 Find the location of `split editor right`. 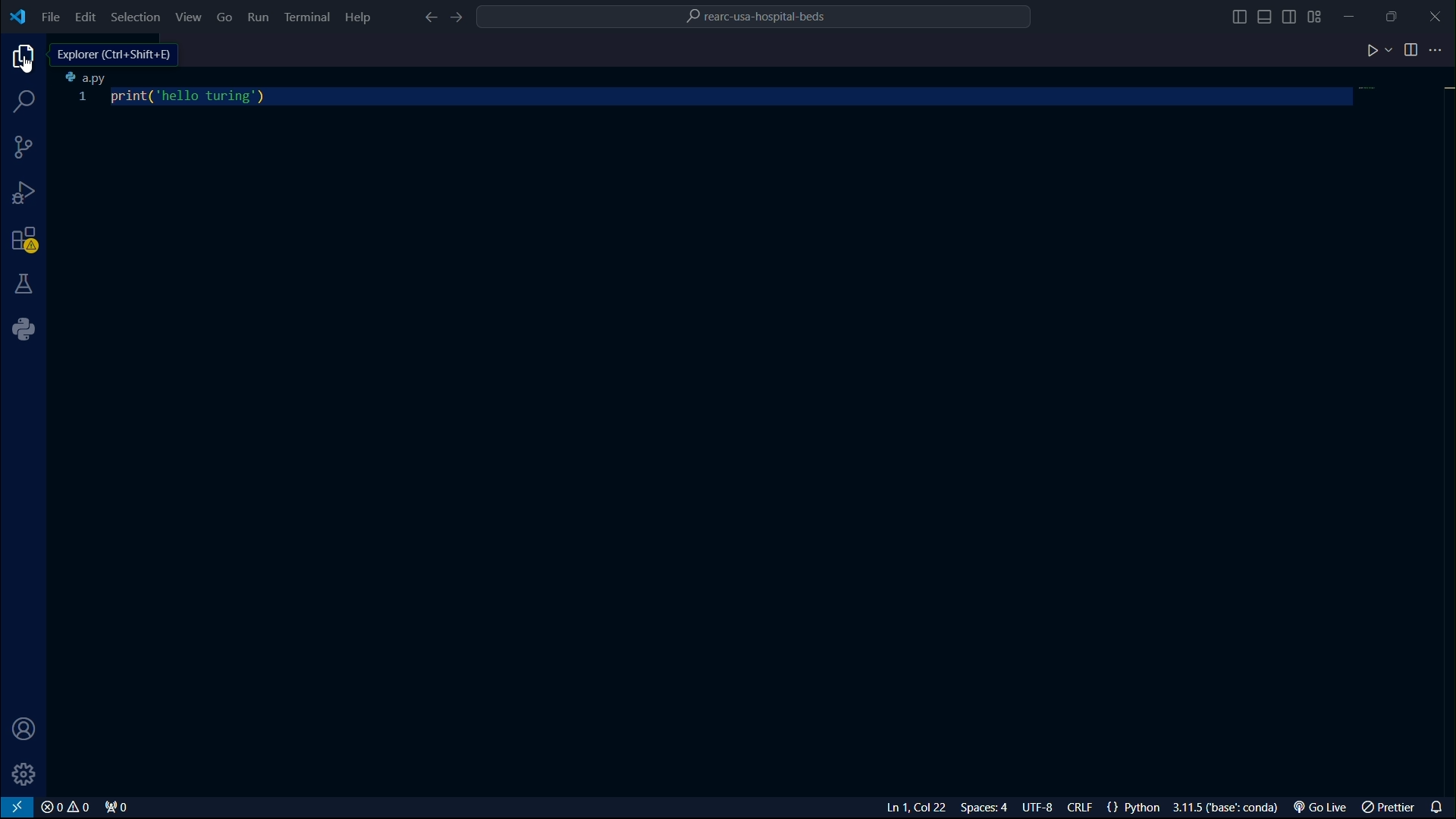

split editor right is located at coordinates (1405, 49).